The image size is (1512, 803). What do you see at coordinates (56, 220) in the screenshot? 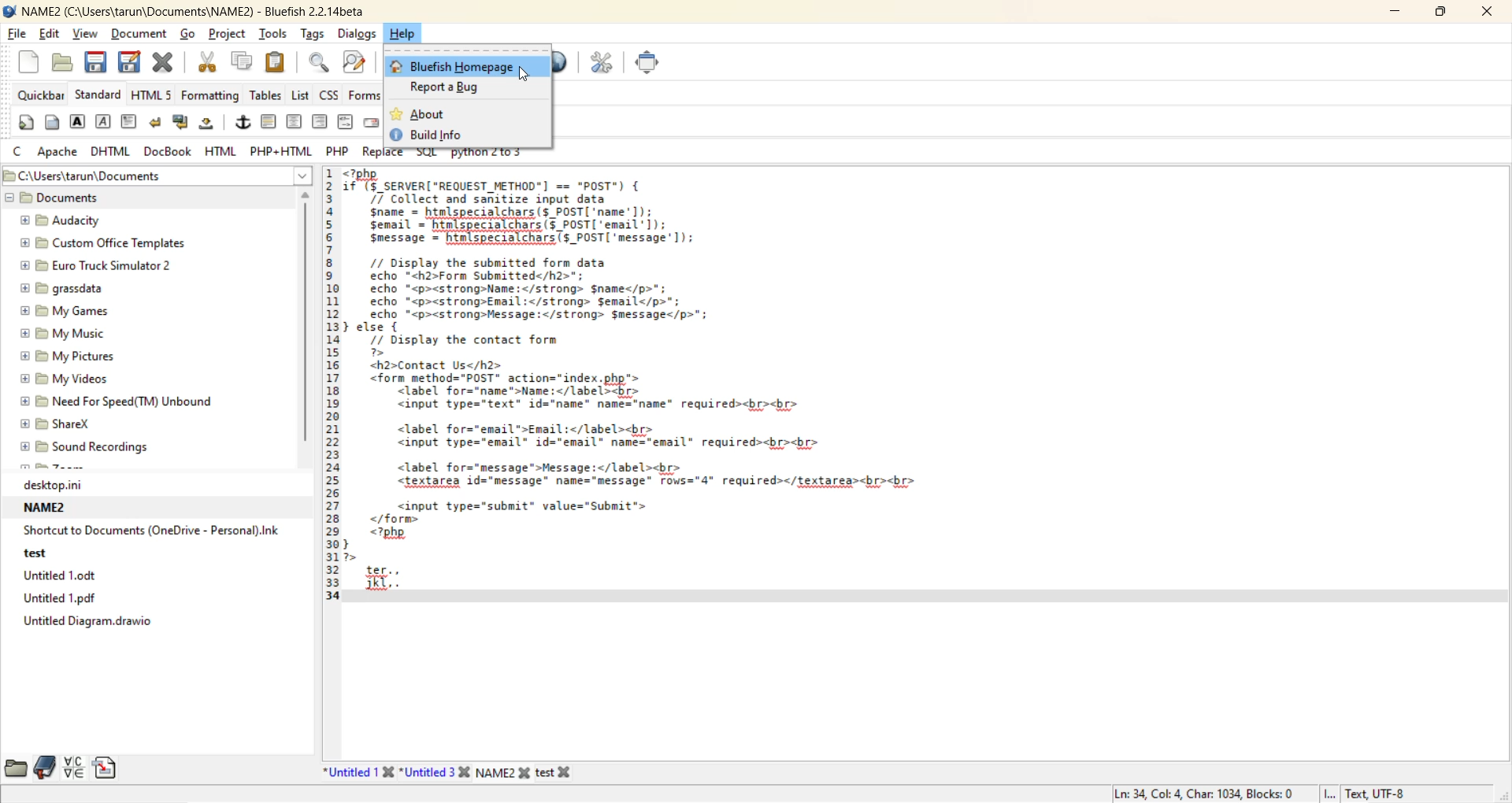
I see `Audacity` at bounding box center [56, 220].